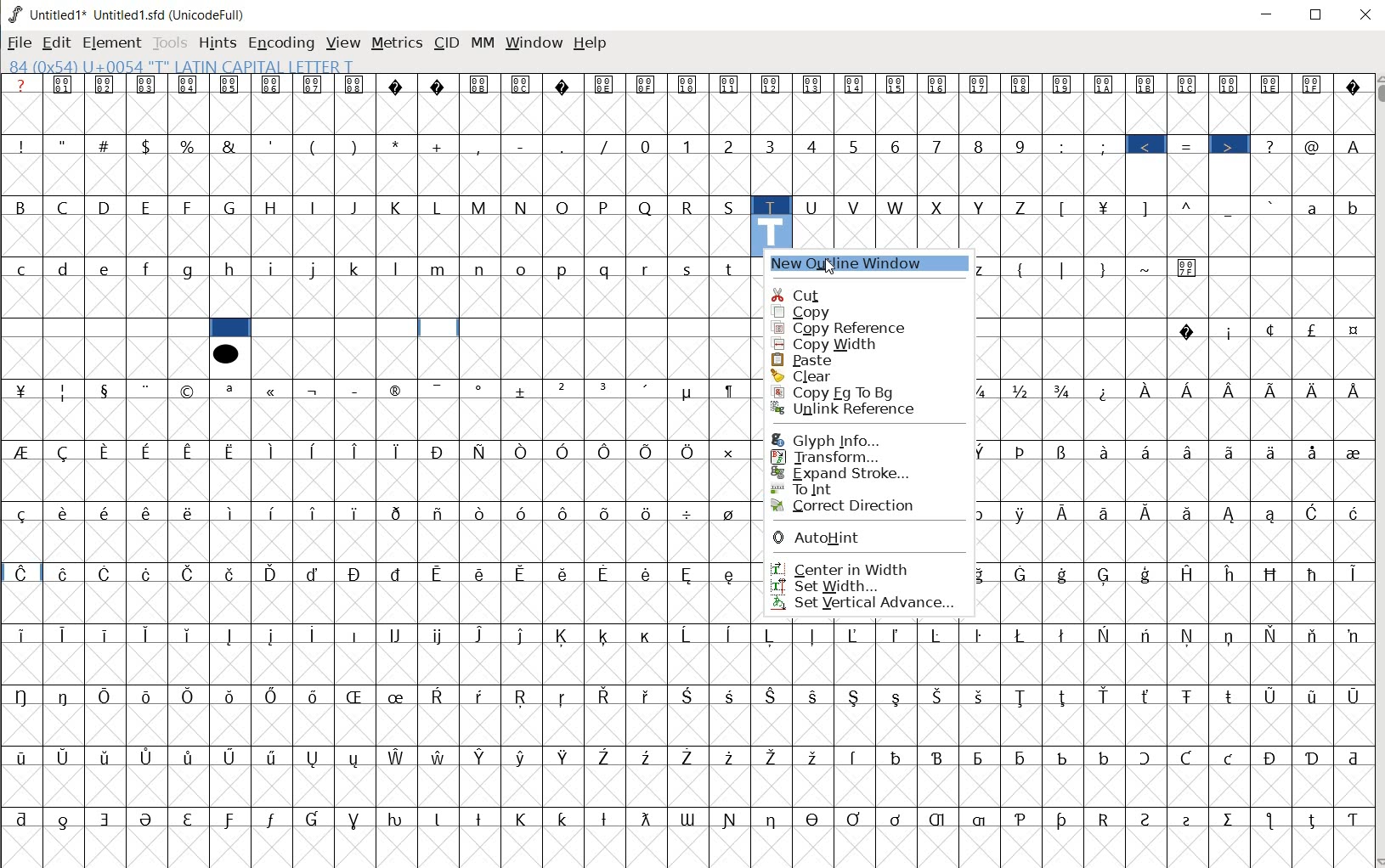  What do you see at coordinates (399, 449) in the screenshot?
I see `Symbol` at bounding box center [399, 449].